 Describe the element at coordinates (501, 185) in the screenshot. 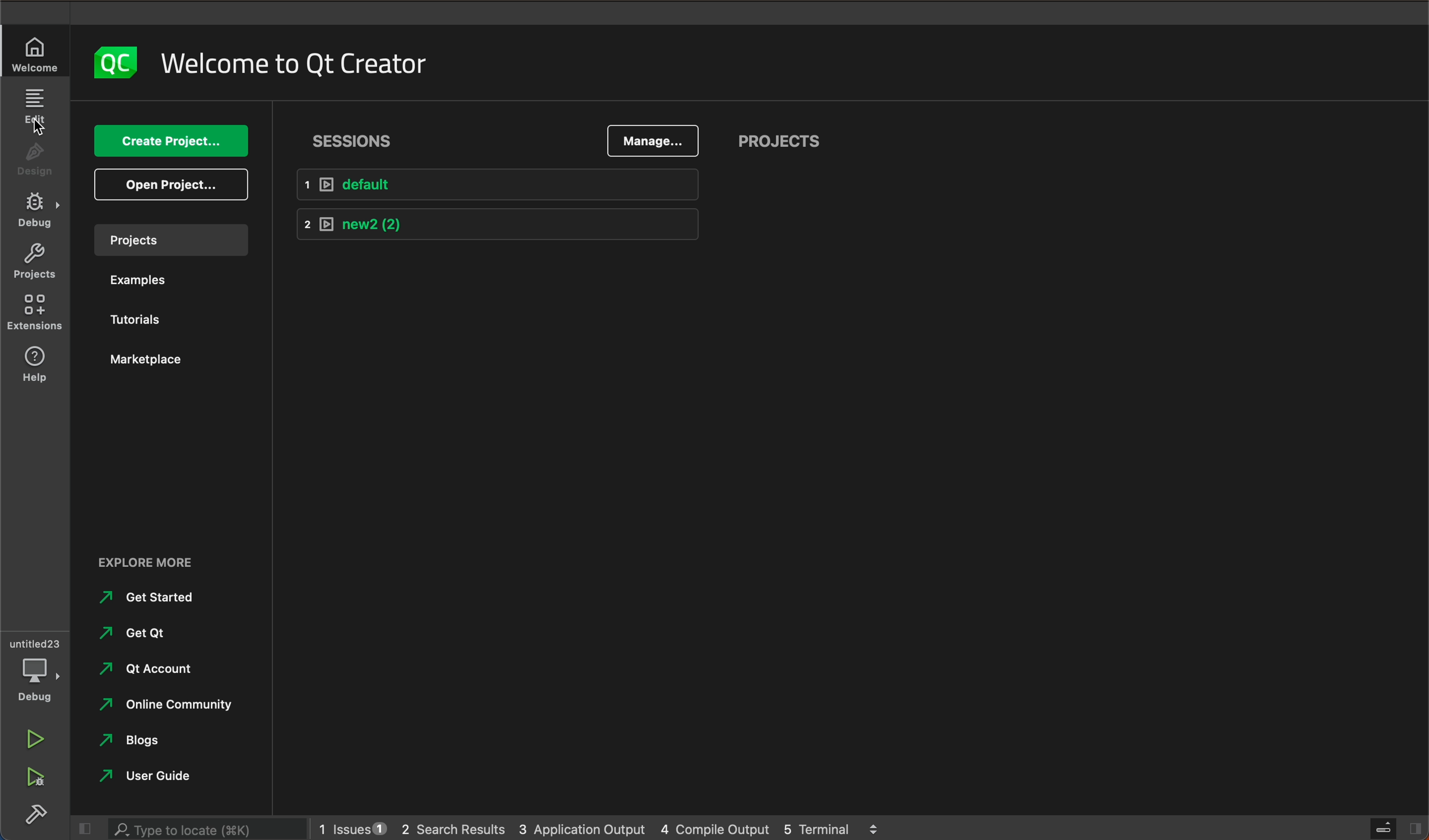

I see `default` at that location.